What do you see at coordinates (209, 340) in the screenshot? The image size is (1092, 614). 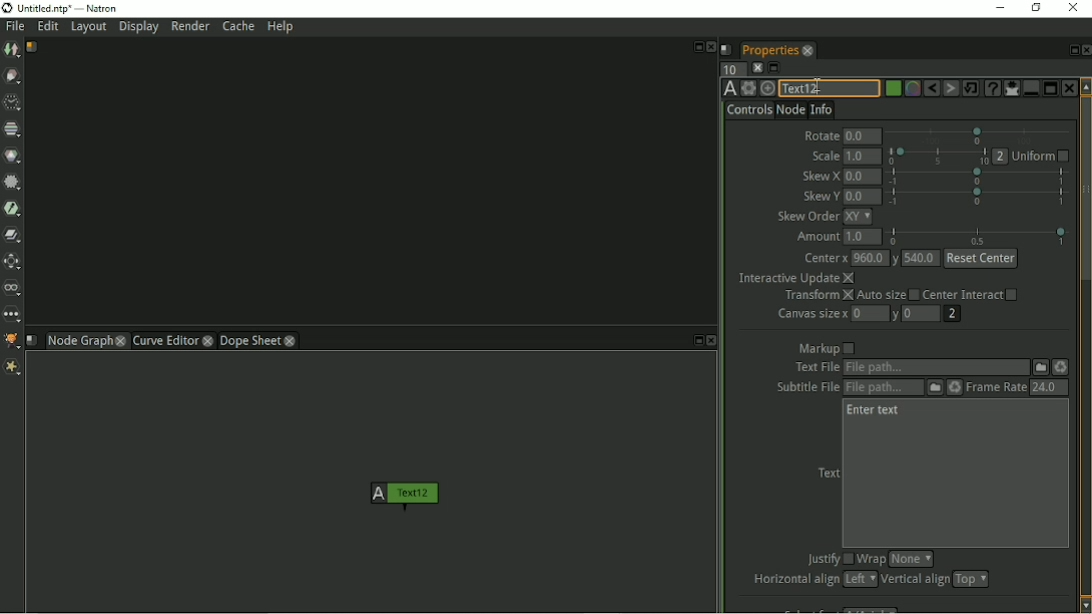 I see `close` at bounding box center [209, 340].